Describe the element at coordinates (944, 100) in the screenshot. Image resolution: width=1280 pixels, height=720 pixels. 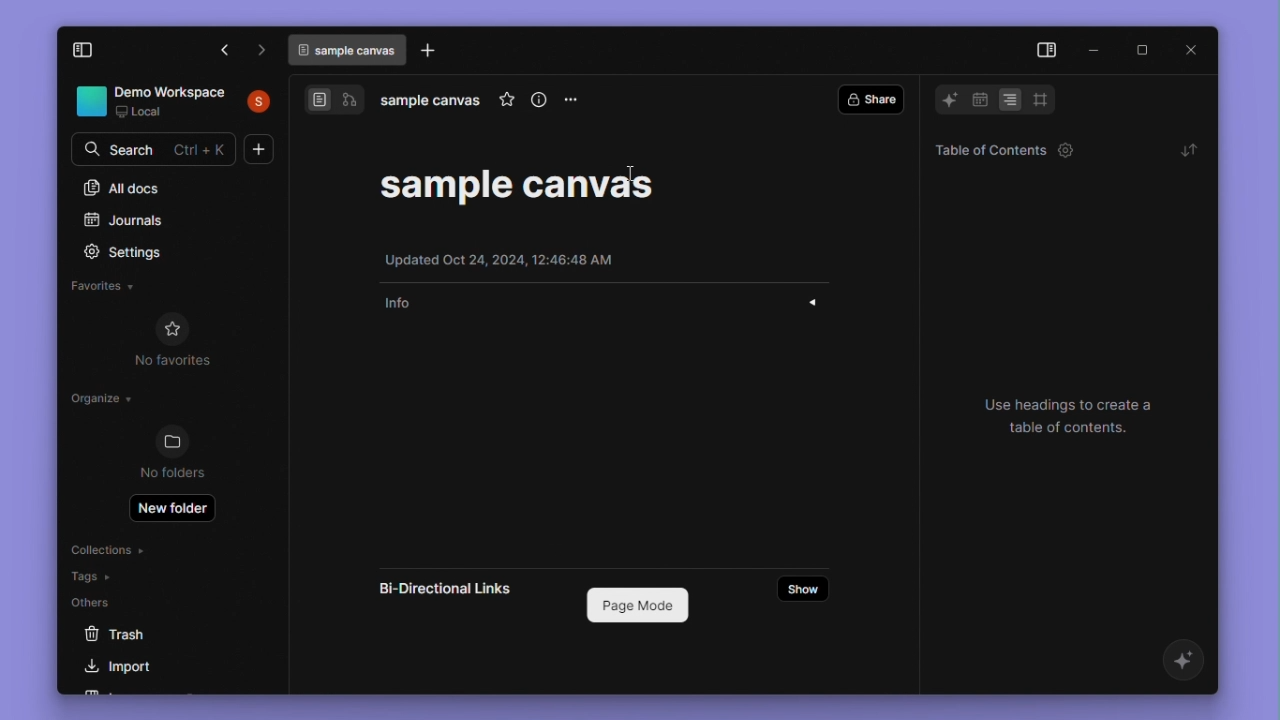
I see `AI` at that location.